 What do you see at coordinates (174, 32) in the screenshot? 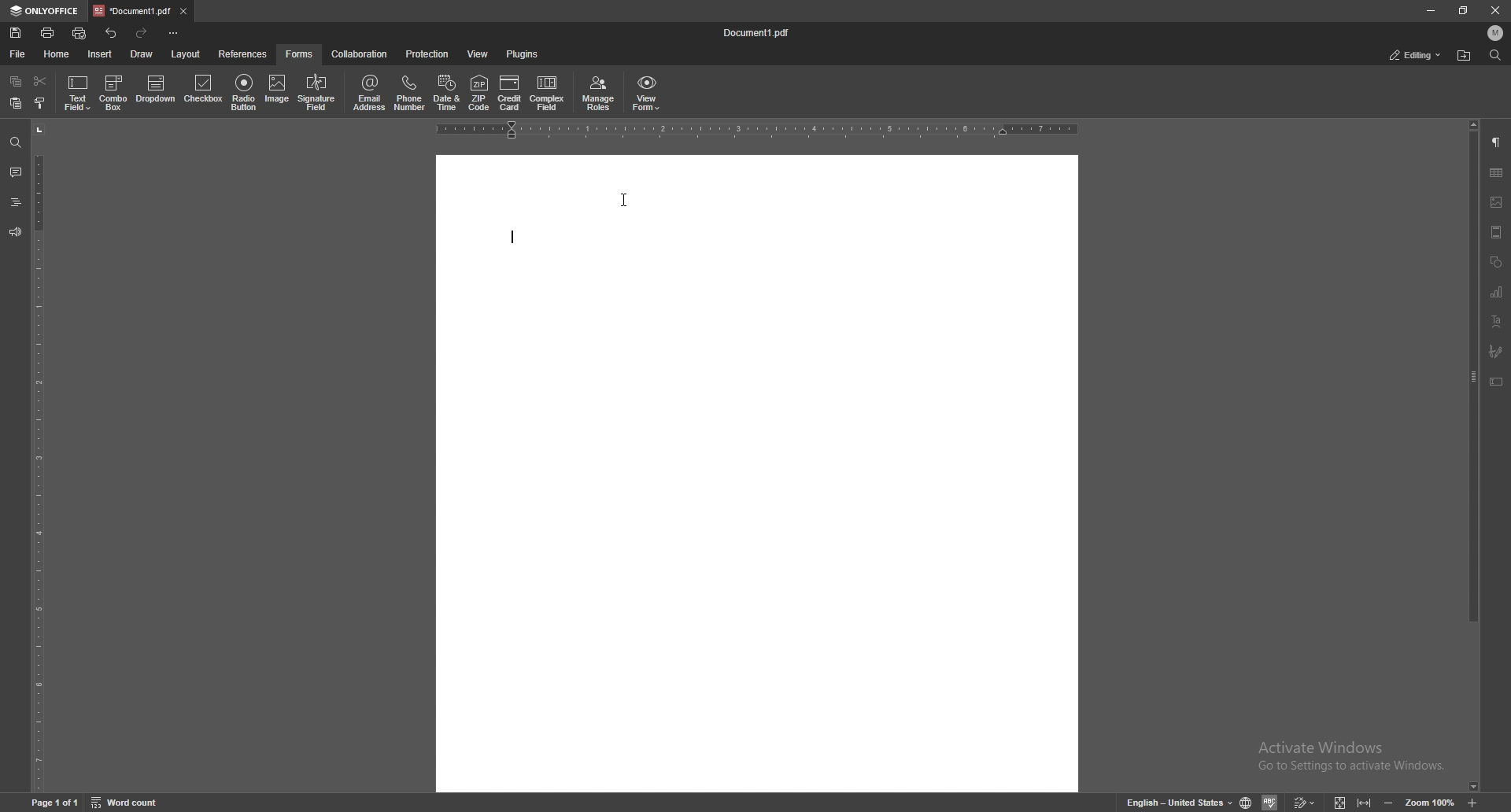
I see `configure toolbar` at bounding box center [174, 32].